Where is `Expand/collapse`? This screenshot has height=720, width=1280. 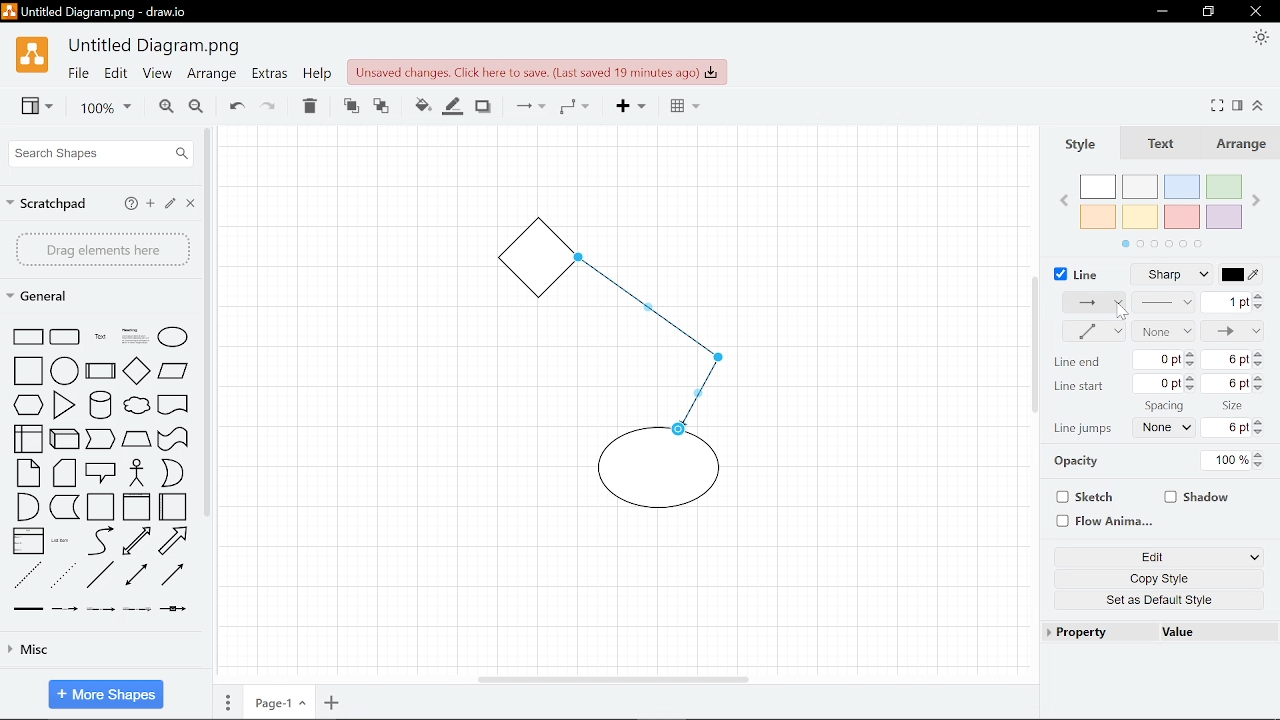
Expand/collapse is located at coordinates (1261, 106).